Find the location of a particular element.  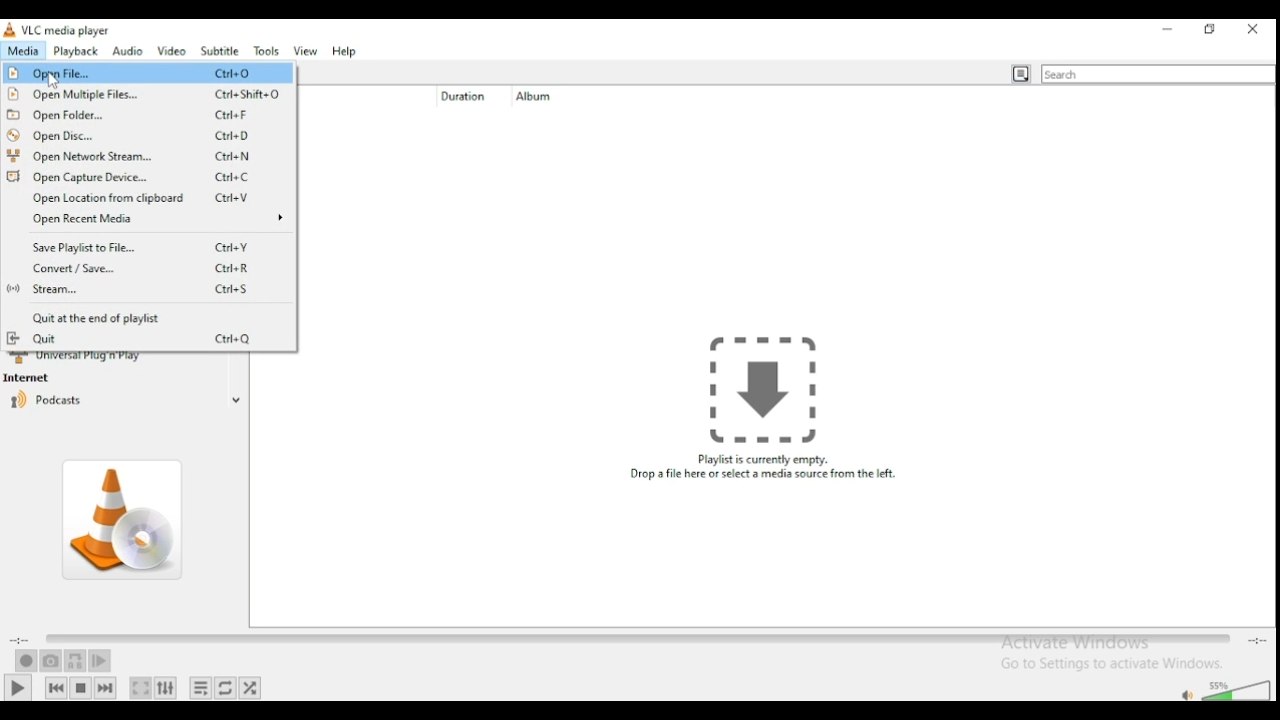

show extended settings is located at coordinates (167, 687).